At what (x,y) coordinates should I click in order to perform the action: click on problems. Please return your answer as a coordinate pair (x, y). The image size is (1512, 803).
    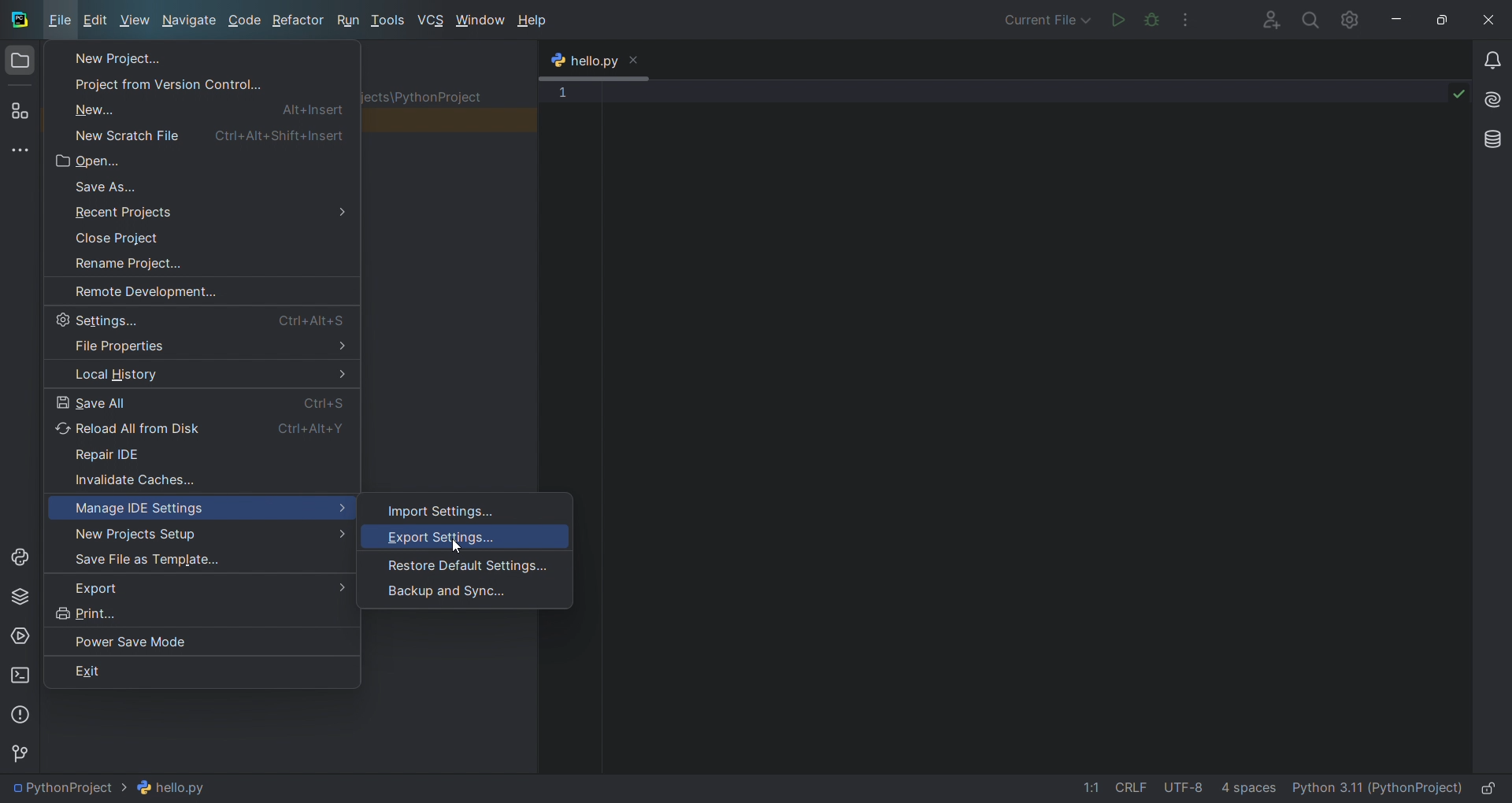
    Looking at the image, I should click on (20, 716).